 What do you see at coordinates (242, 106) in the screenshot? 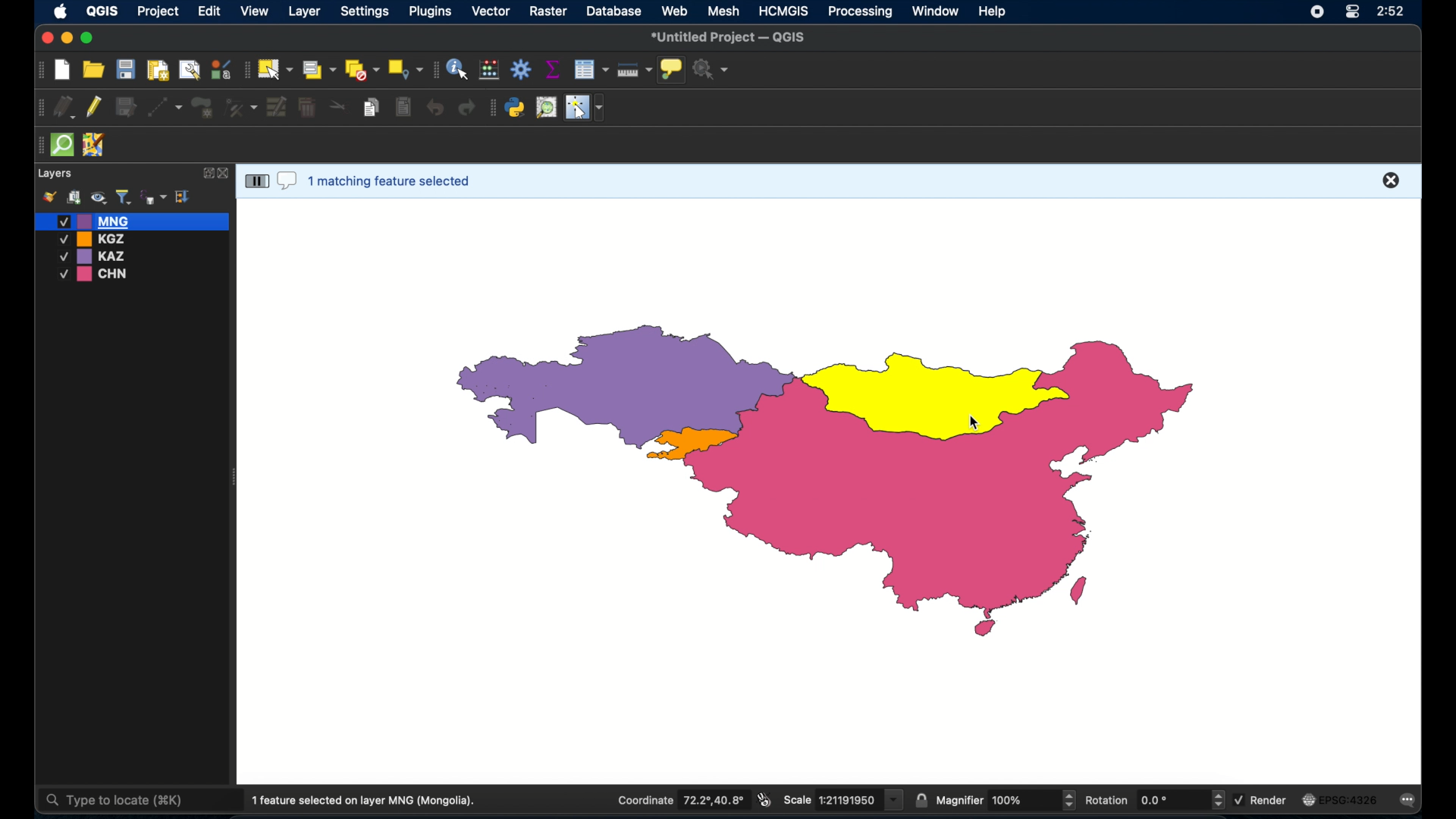
I see `vertex tool` at bounding box center [242, 106].